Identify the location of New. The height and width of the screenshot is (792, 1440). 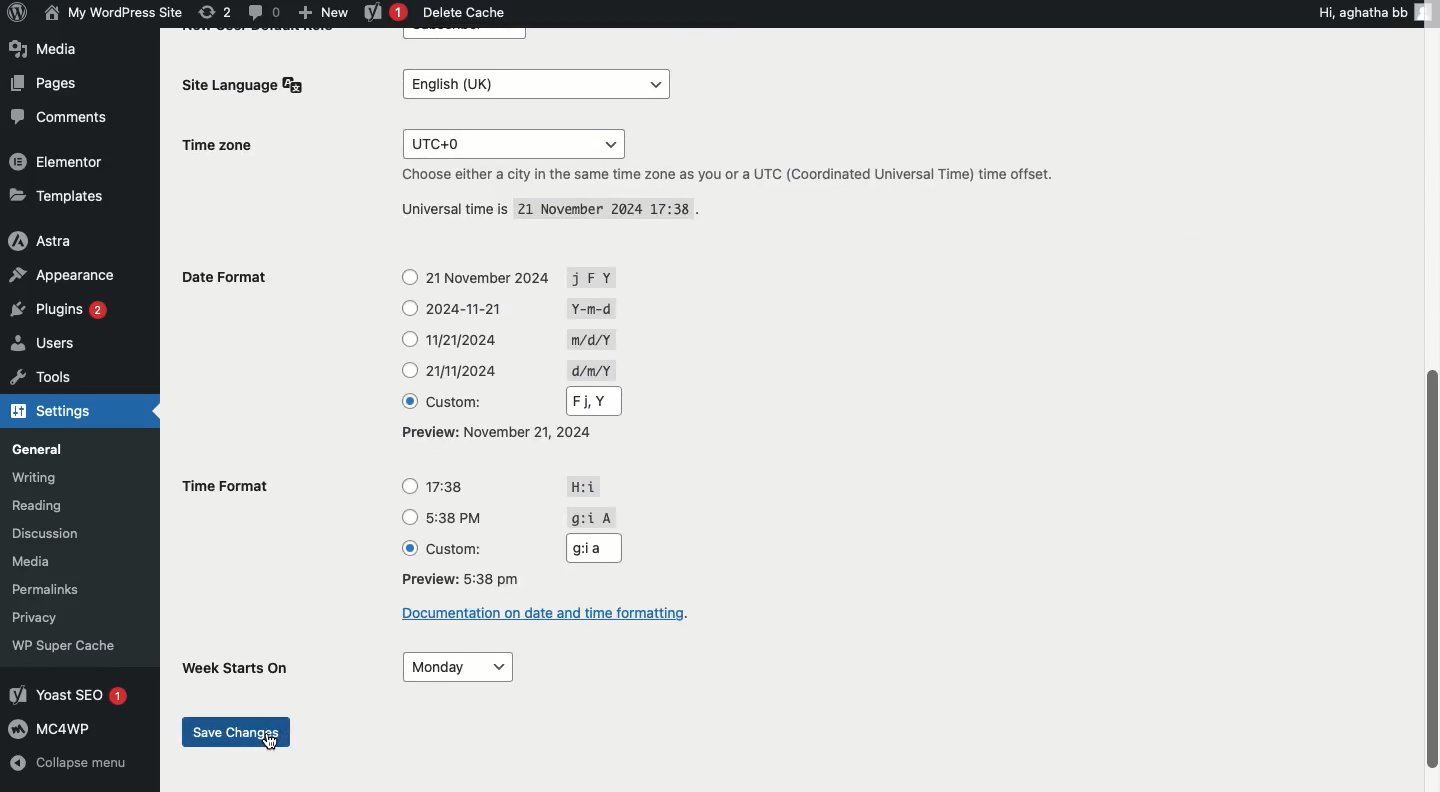
(323, 11).